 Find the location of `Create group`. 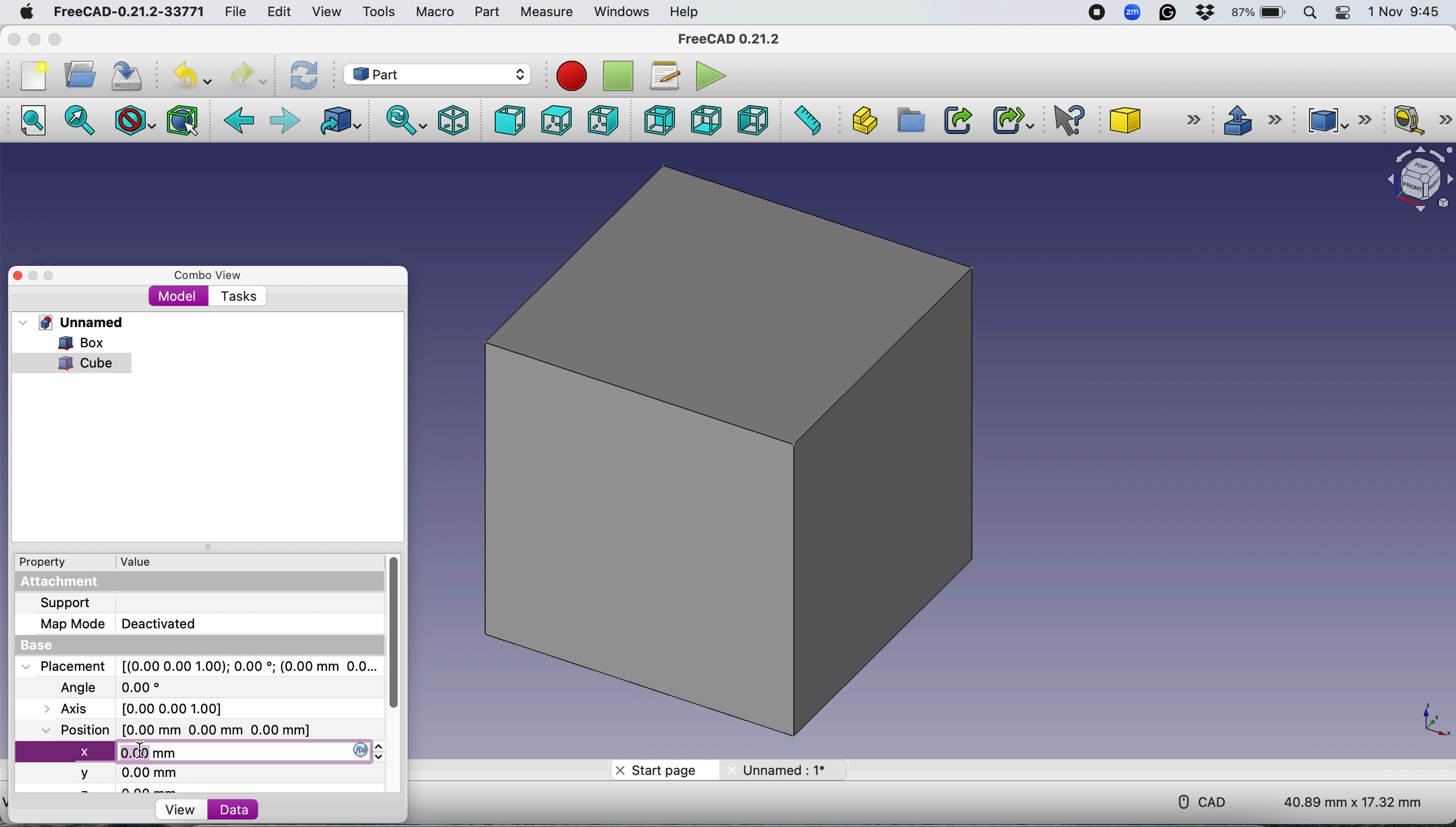

Create group is located at coordinates (909, 120).